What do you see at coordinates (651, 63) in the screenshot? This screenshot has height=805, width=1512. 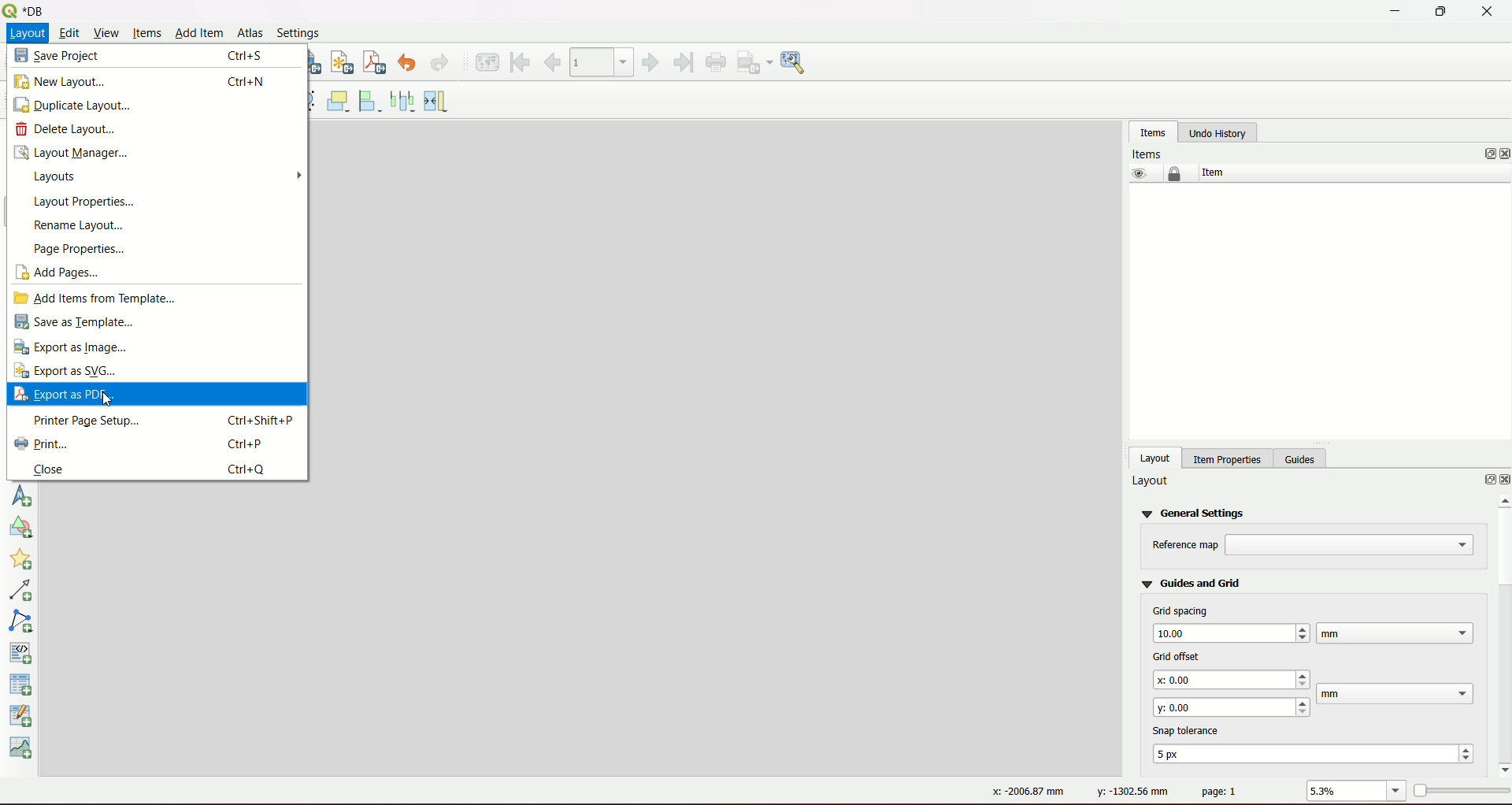 I see `next feature` at bounding box center [651, 63].